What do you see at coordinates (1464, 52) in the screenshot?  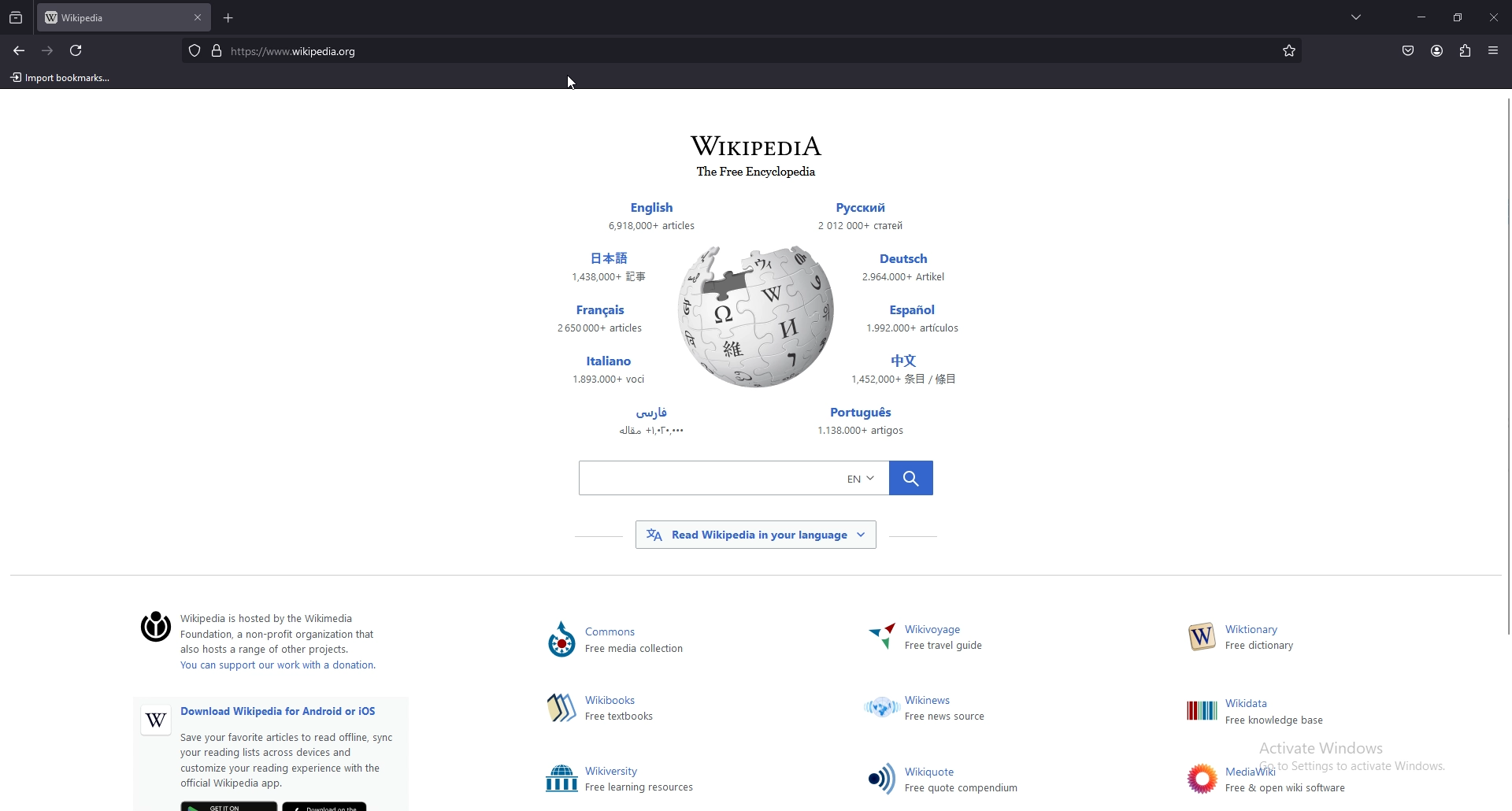 I see `extensions` at bounding box center [1464, 52].